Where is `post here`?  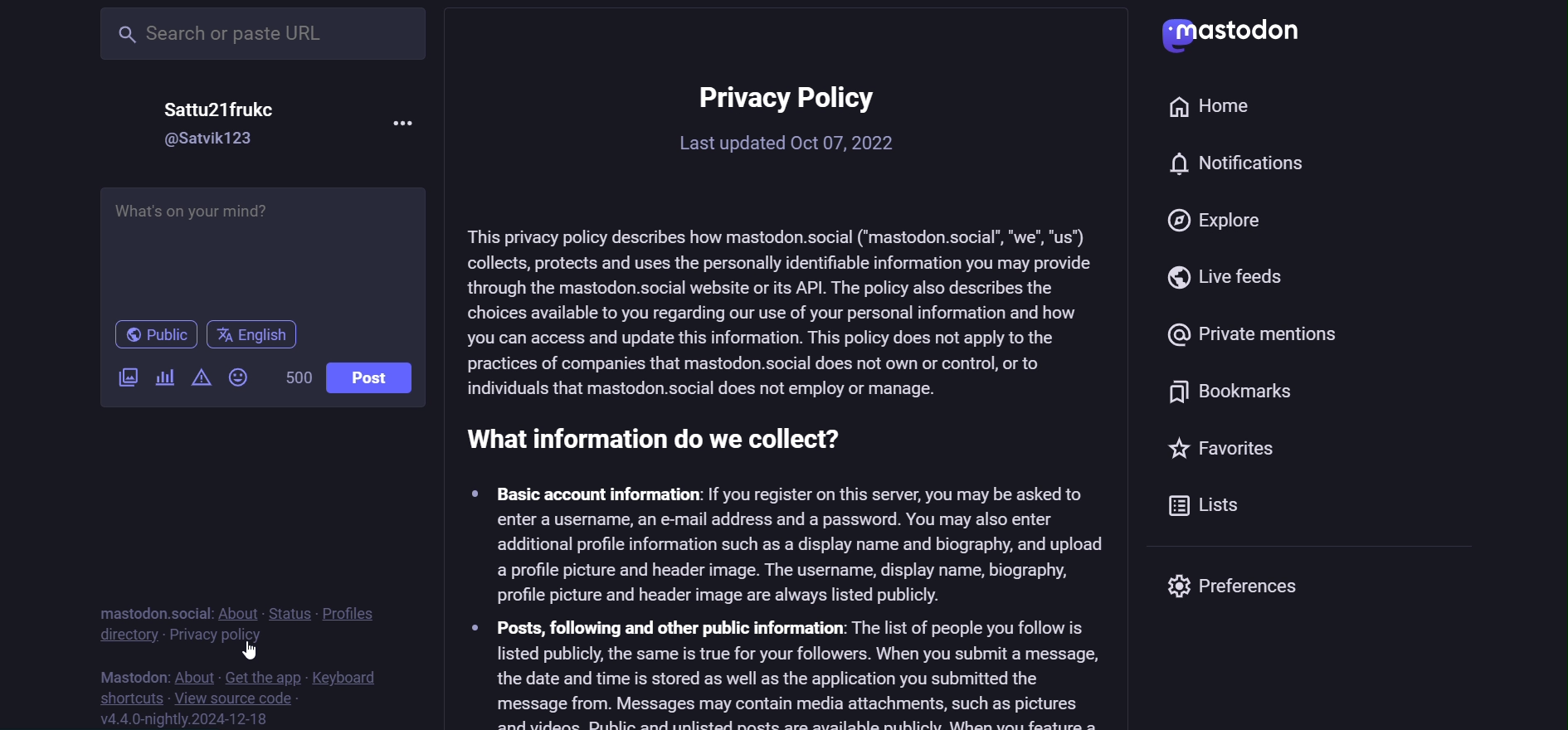
post here is located at coordinates (270, 248).